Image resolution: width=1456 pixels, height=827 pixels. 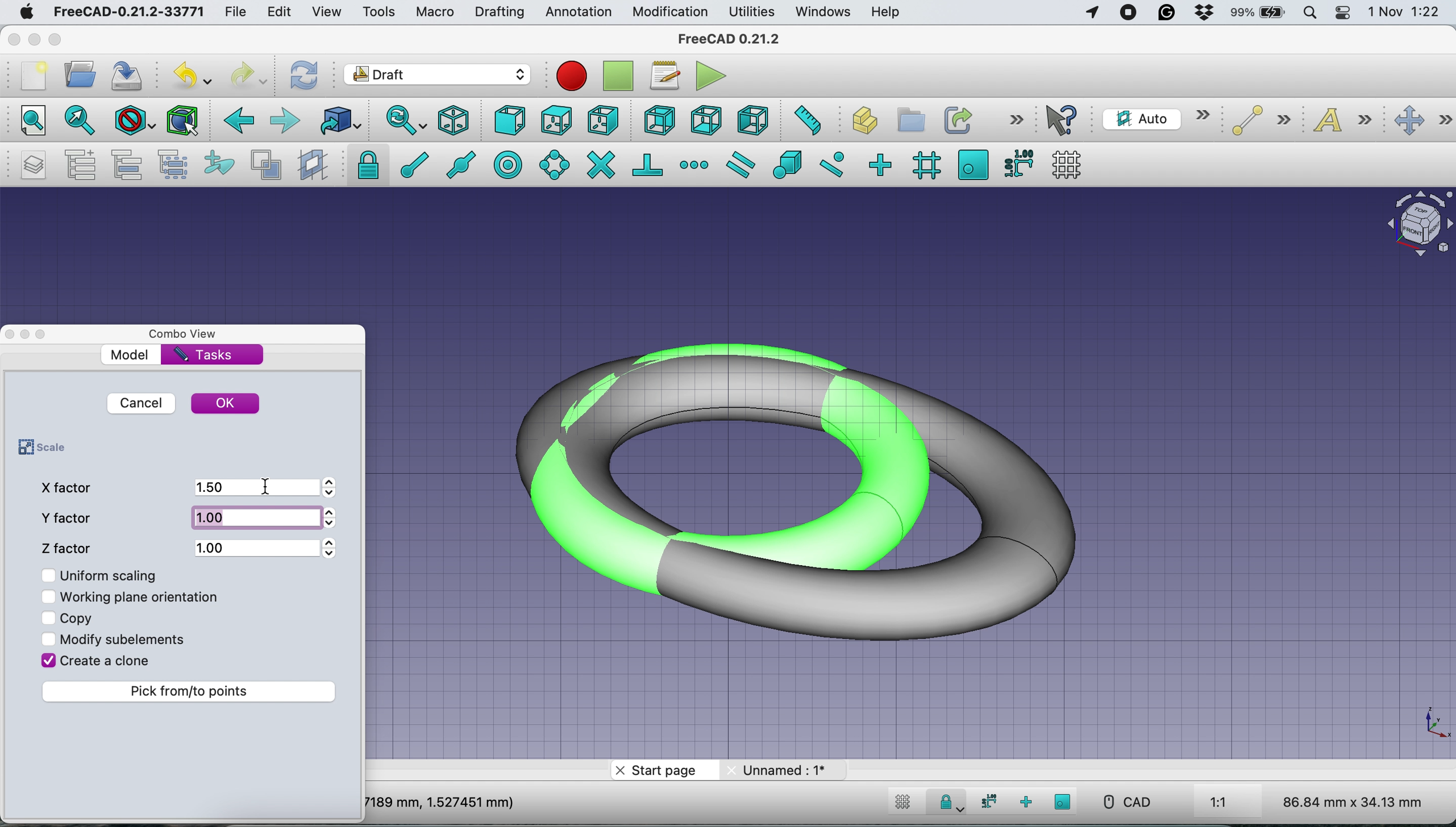 What do you see at coordinates (227, 404) in the screenshot?
I see `ok` at bounding box center [227, 404].